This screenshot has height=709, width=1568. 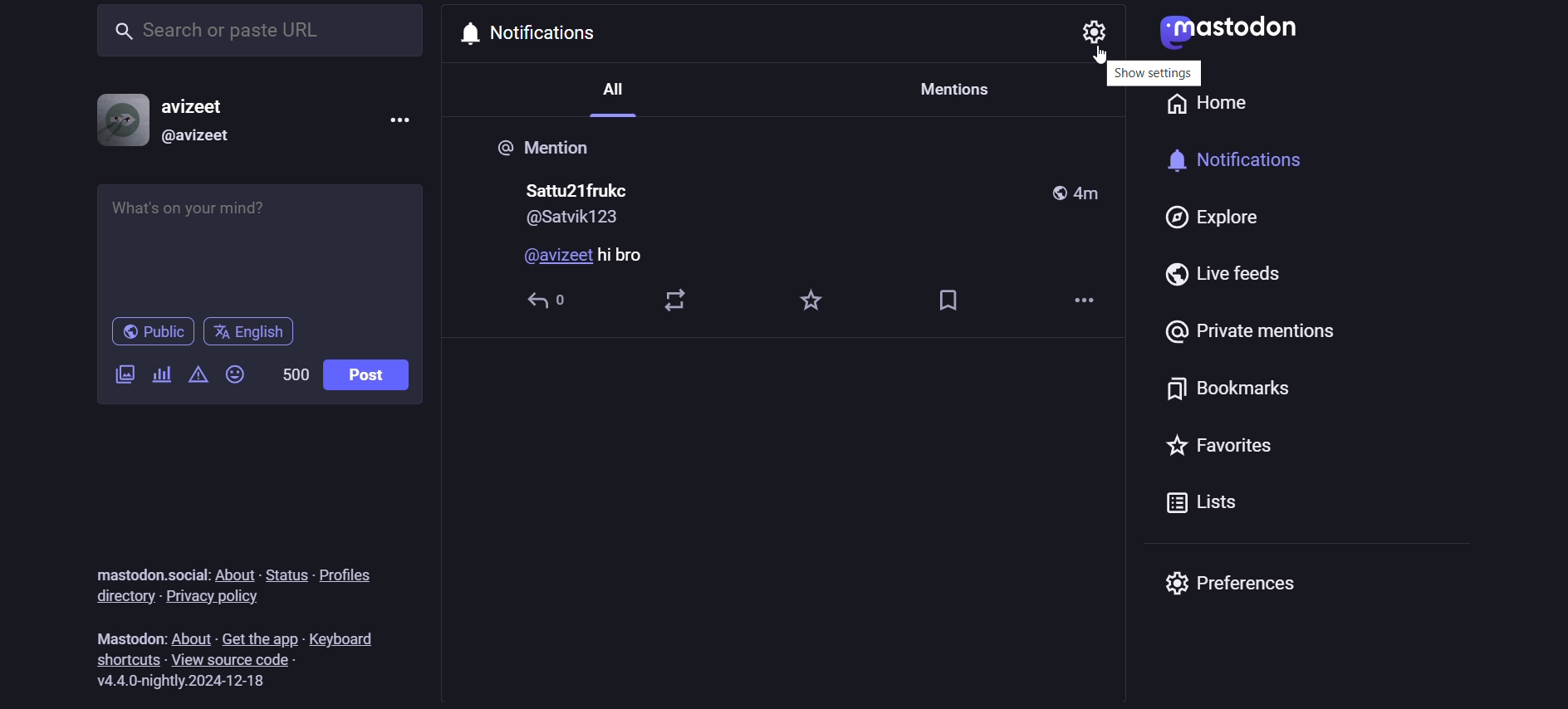 What do you see at coordinates (619, 100) in the screenshot?
I see `All` at bounding box center [619, 100].